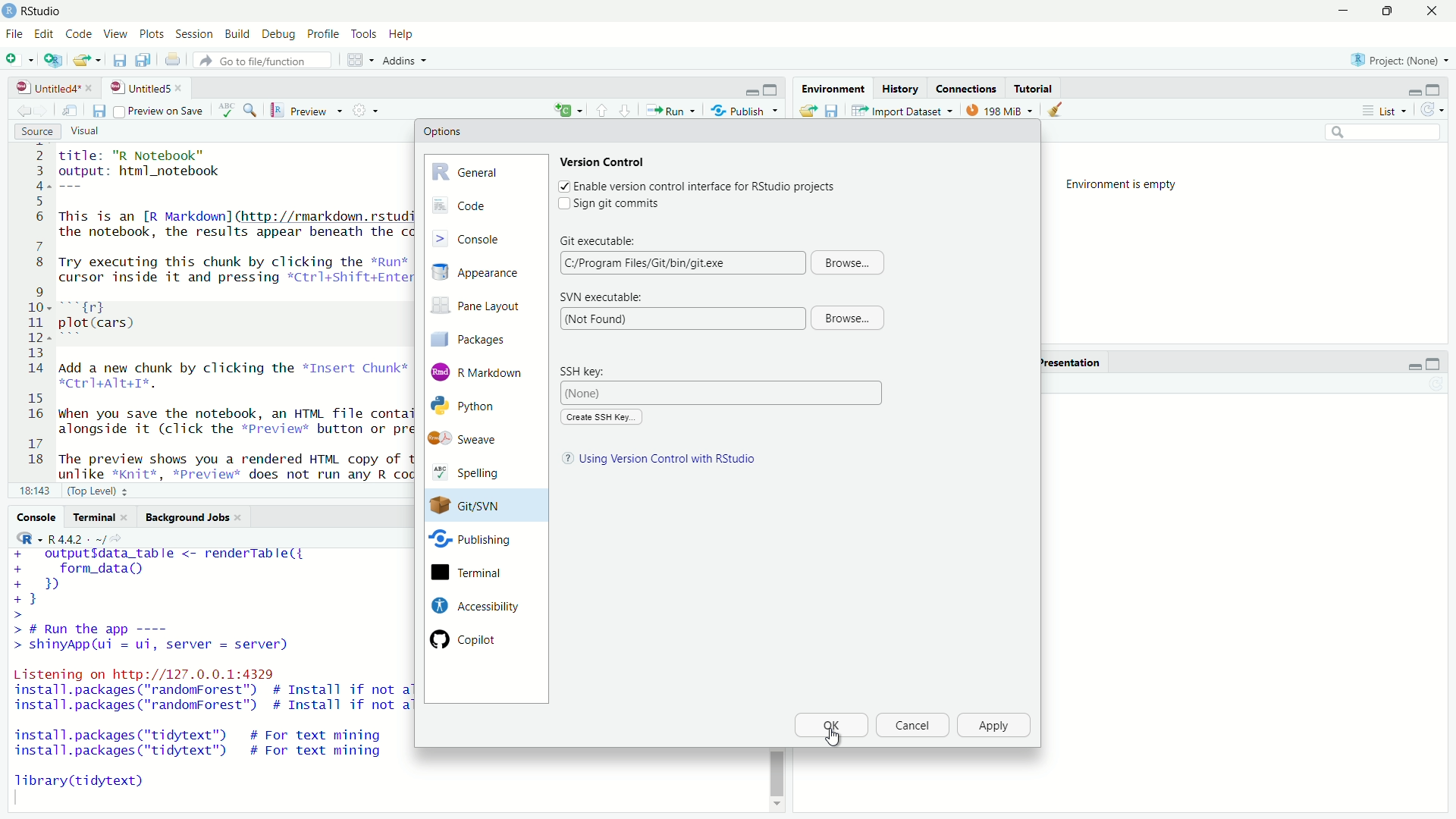 The height and width of the screenshot is (819, 1456). What do you see at coordinates (849, 262) in the screenshot?
I see `Browse...` at bounding box center [849, 262].